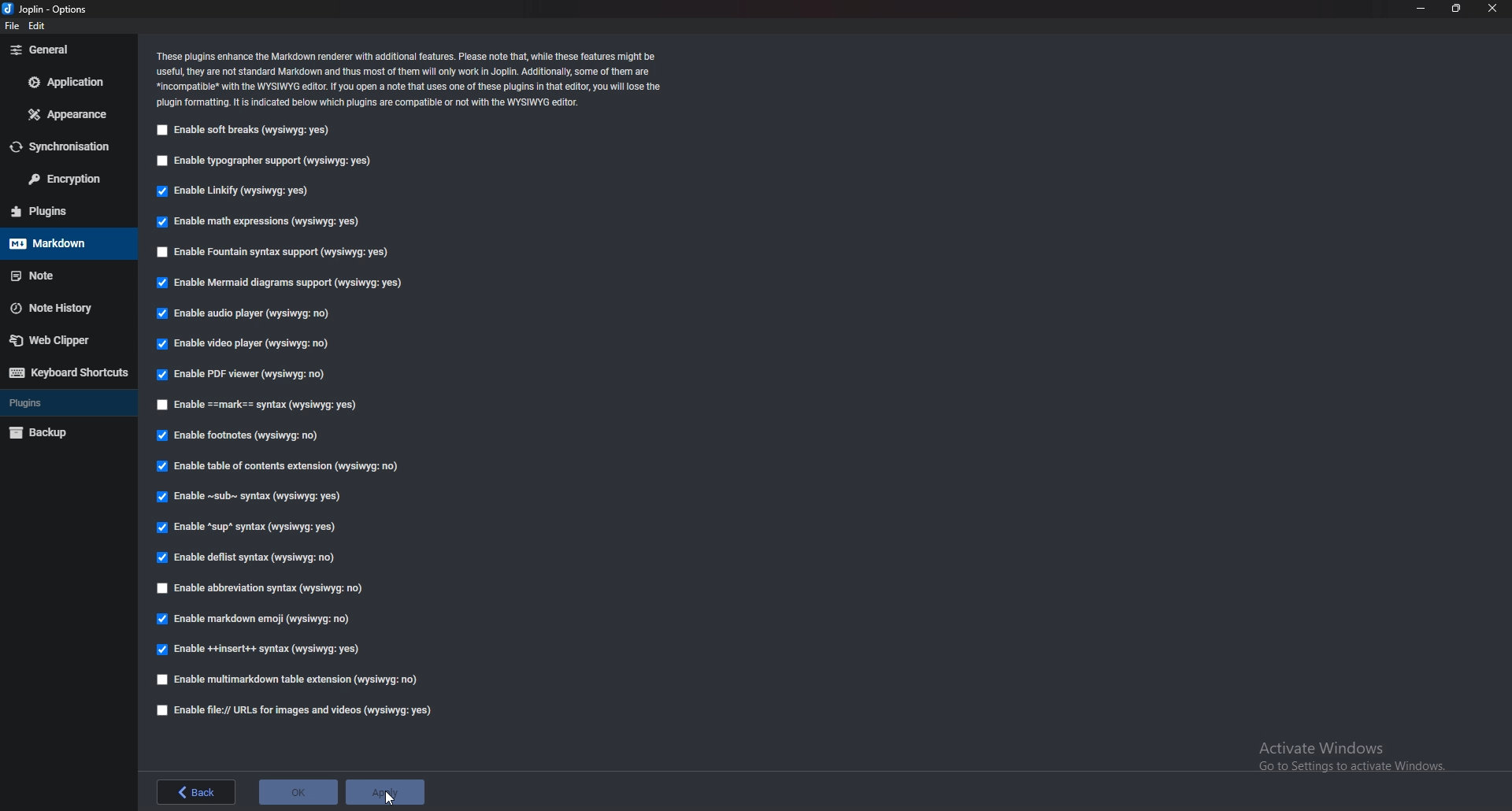  I want to click on Enable insert syntax, so click(259, 648).